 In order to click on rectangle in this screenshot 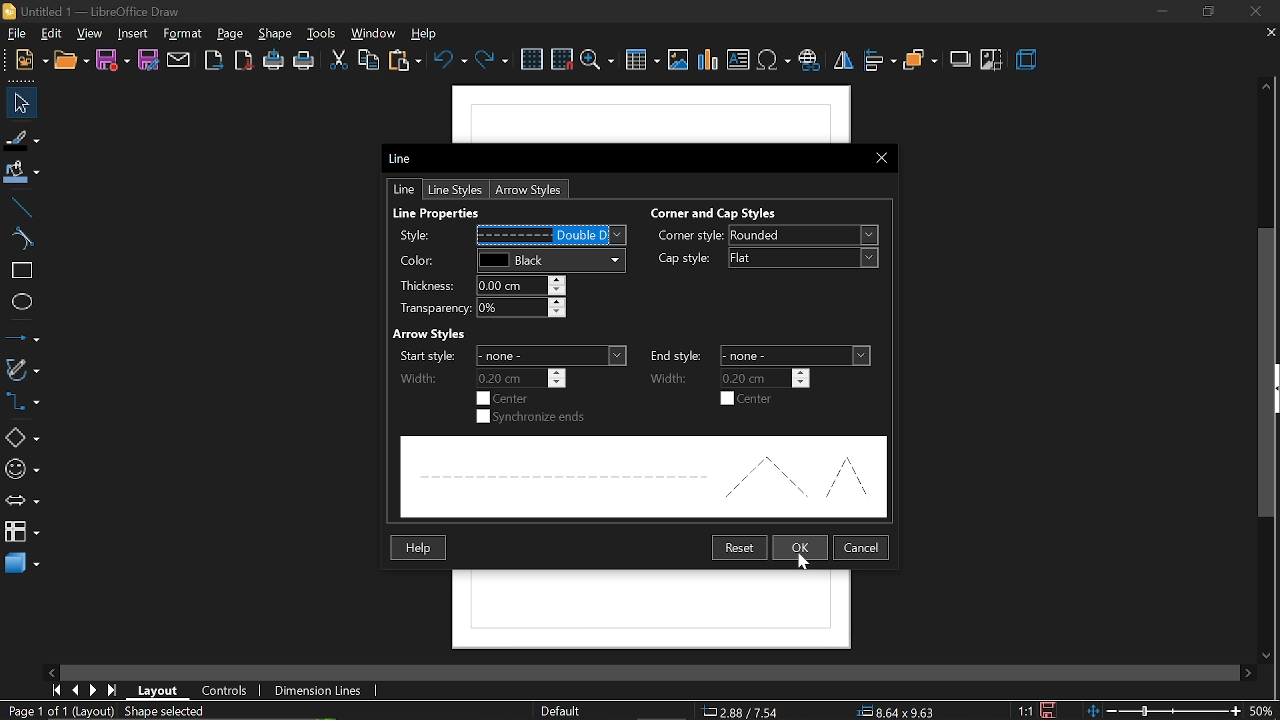, I will do `click(21, 272)`.